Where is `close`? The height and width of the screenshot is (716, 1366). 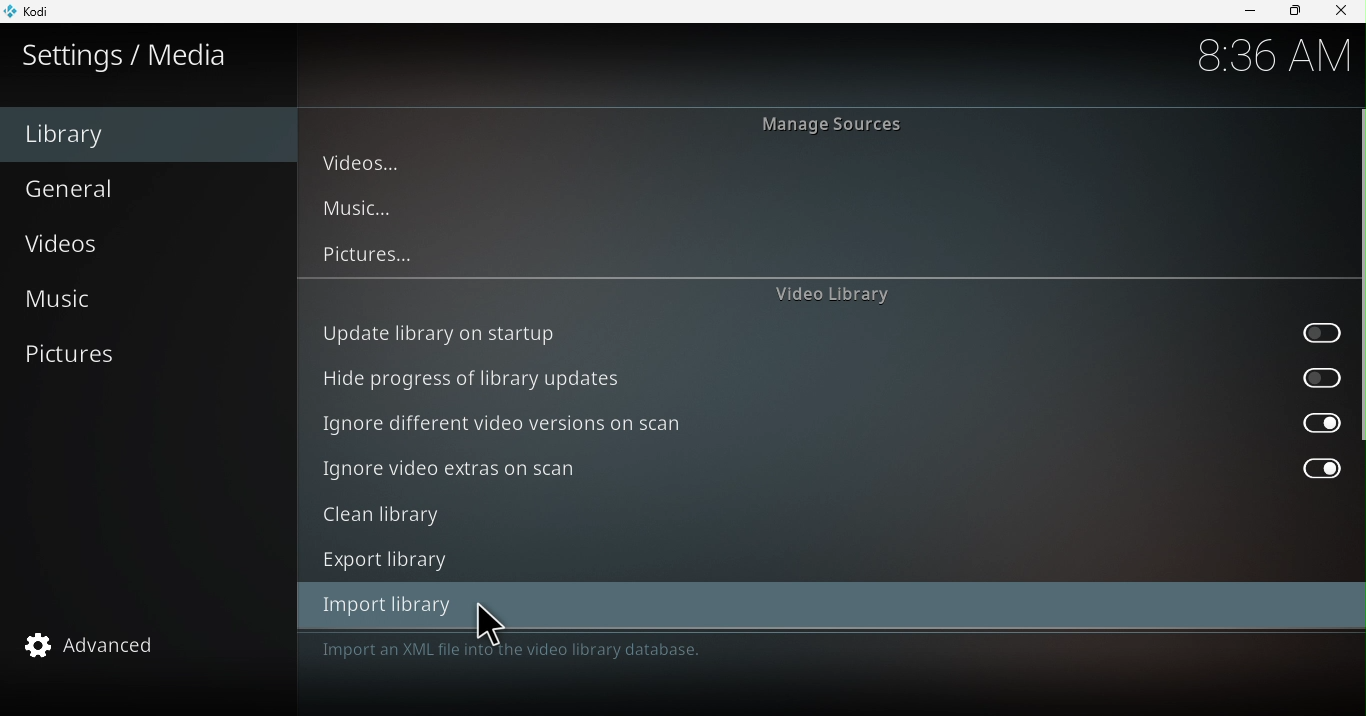
close is located at coordinates (1344, 11).